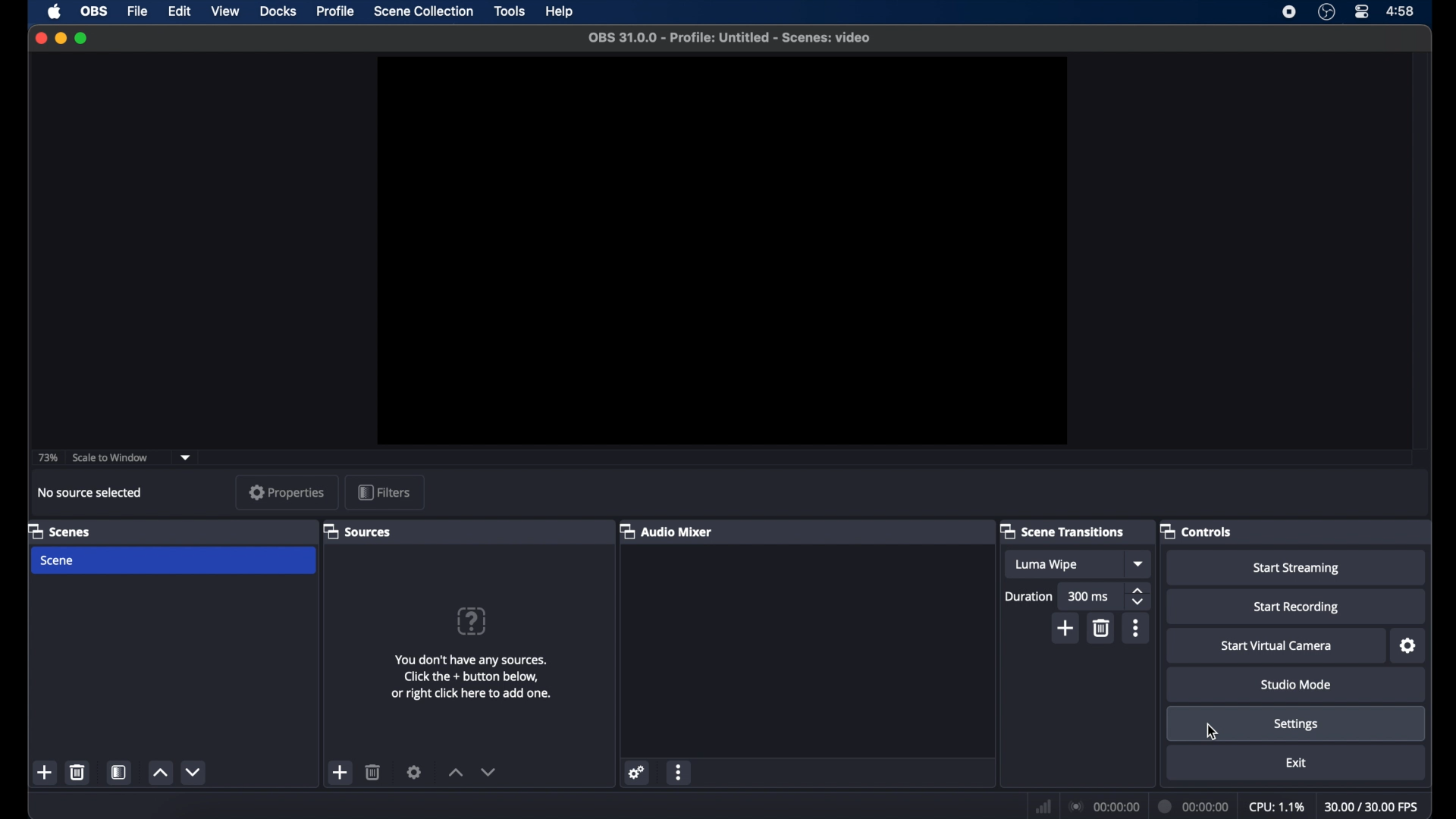 Image resolution: width=1456 pixels, height=819 pixels. I want to click on 4:58, so click(1400, 11).